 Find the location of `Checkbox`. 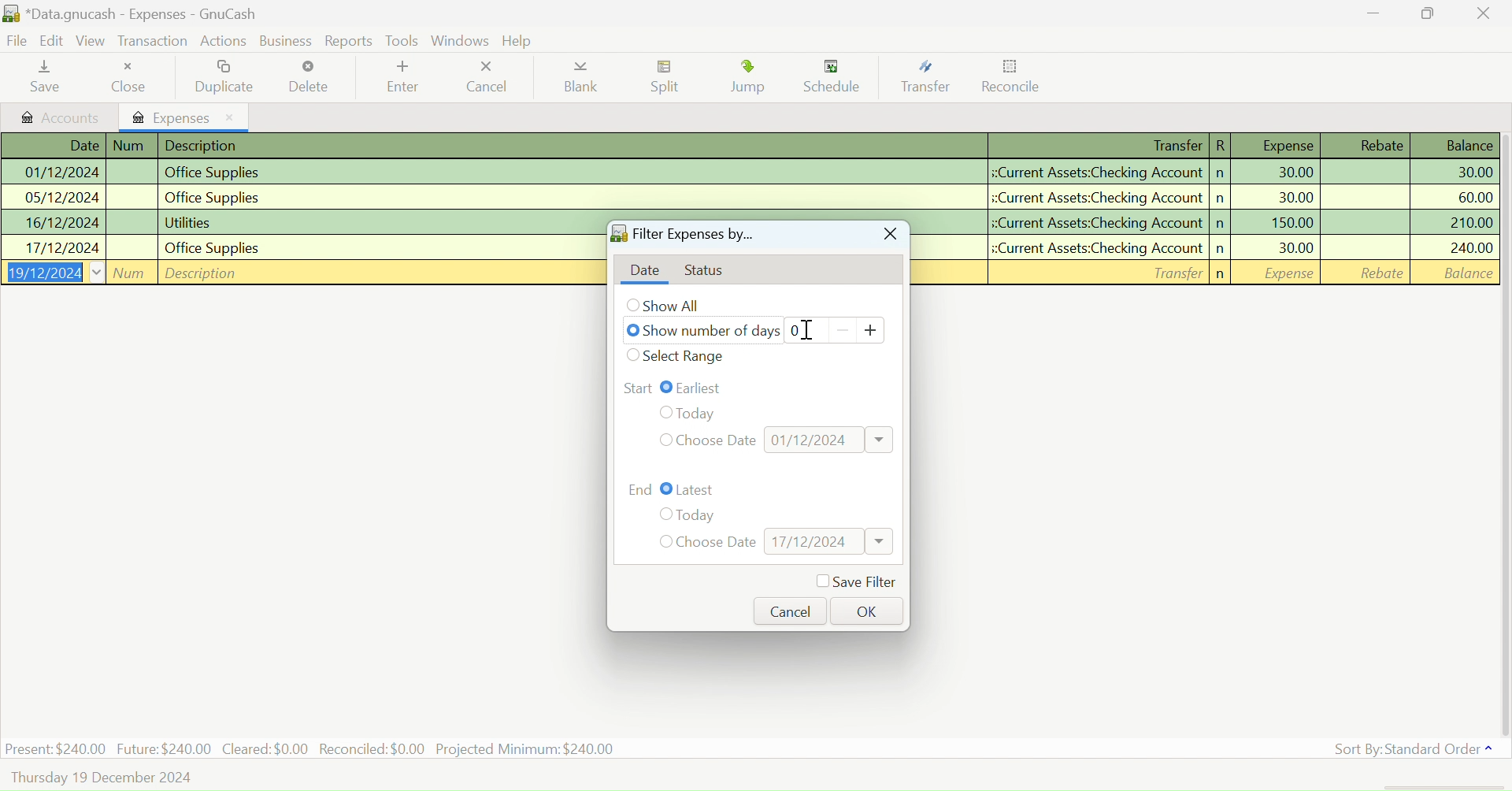

Checkbox is located at coordinates (663, 541).